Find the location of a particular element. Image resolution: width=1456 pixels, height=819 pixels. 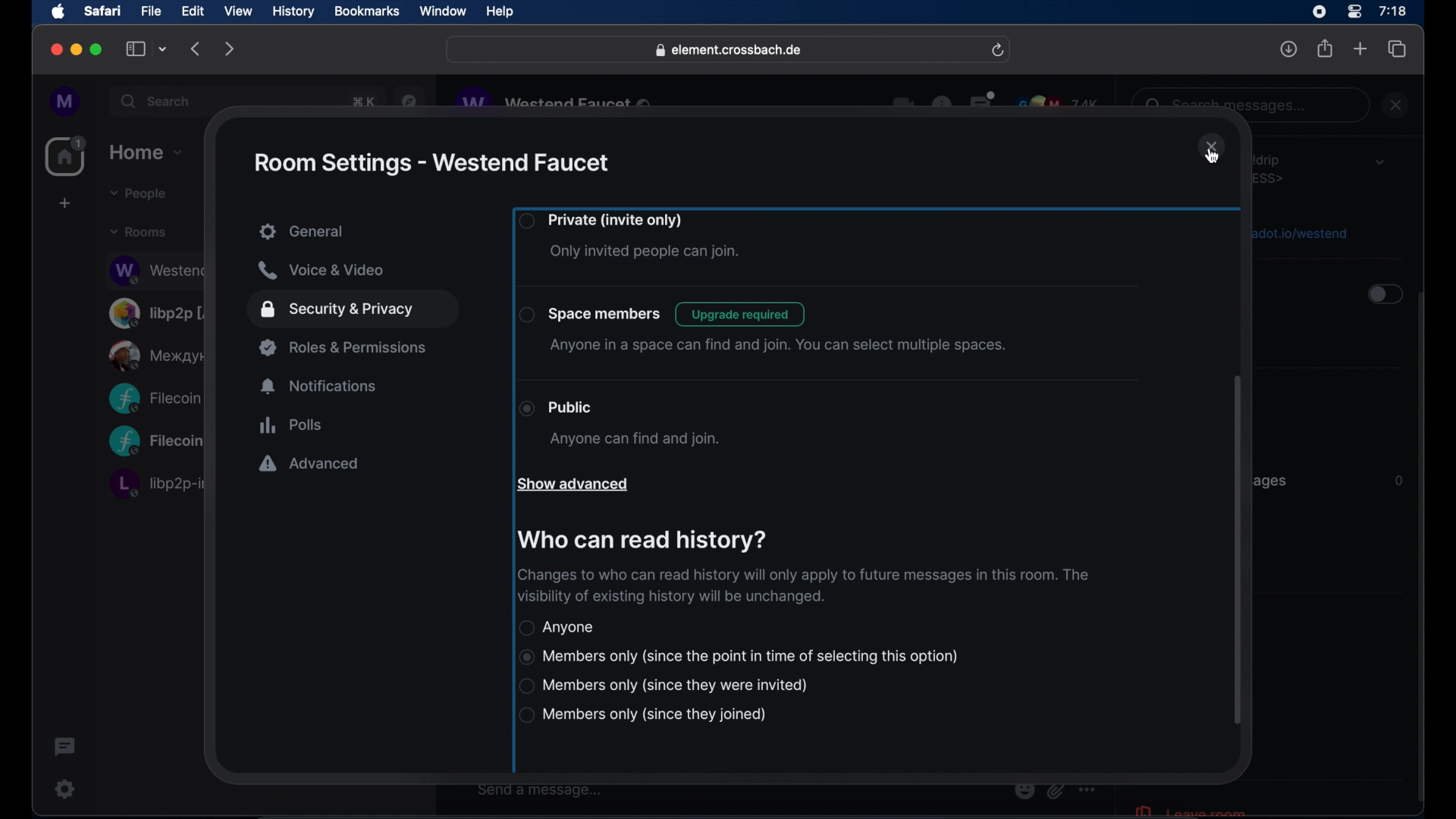

close is located at coordinates (1398, 105).